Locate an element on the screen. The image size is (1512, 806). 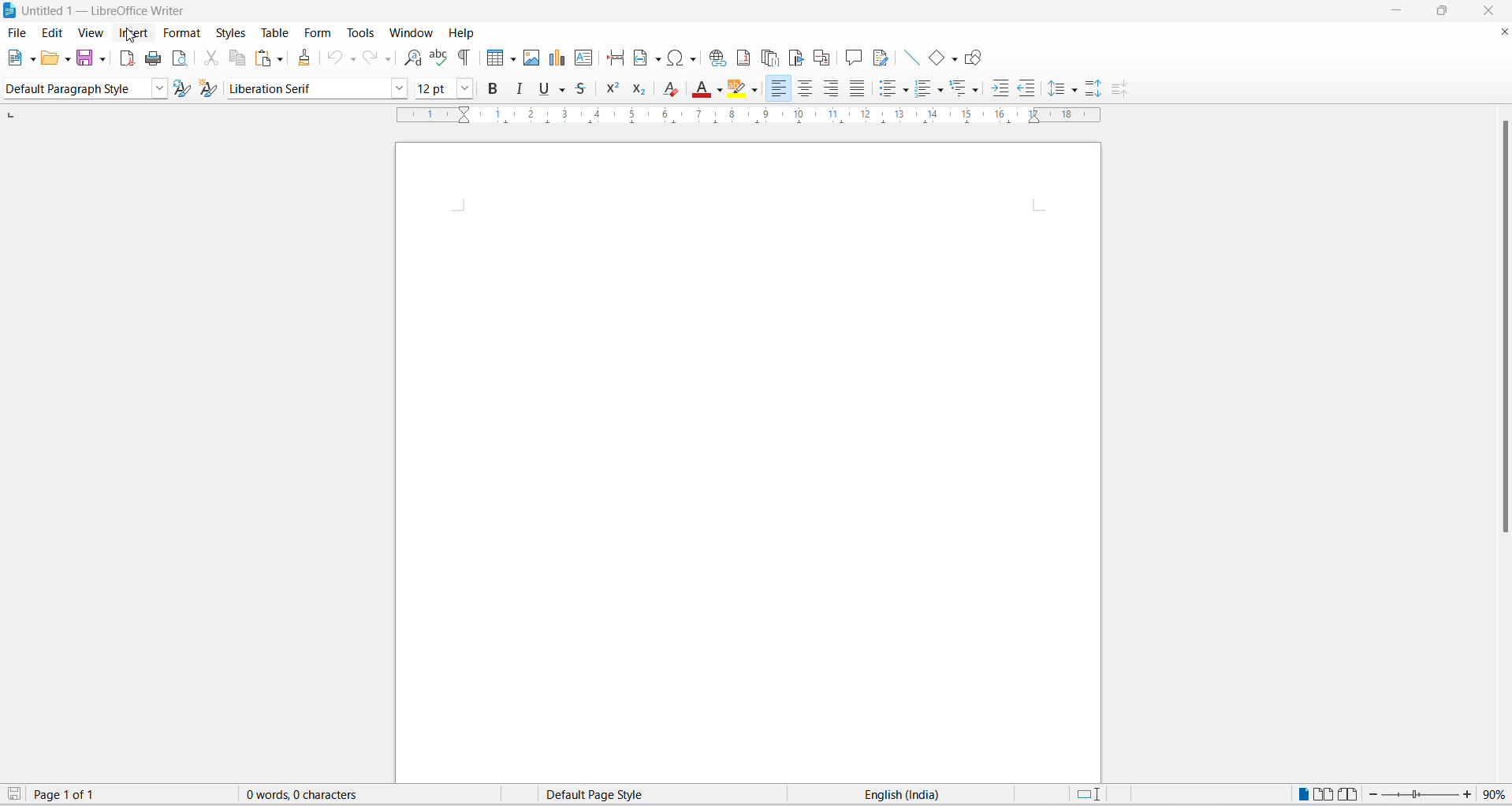
underline is located at coordinates (543, 91).